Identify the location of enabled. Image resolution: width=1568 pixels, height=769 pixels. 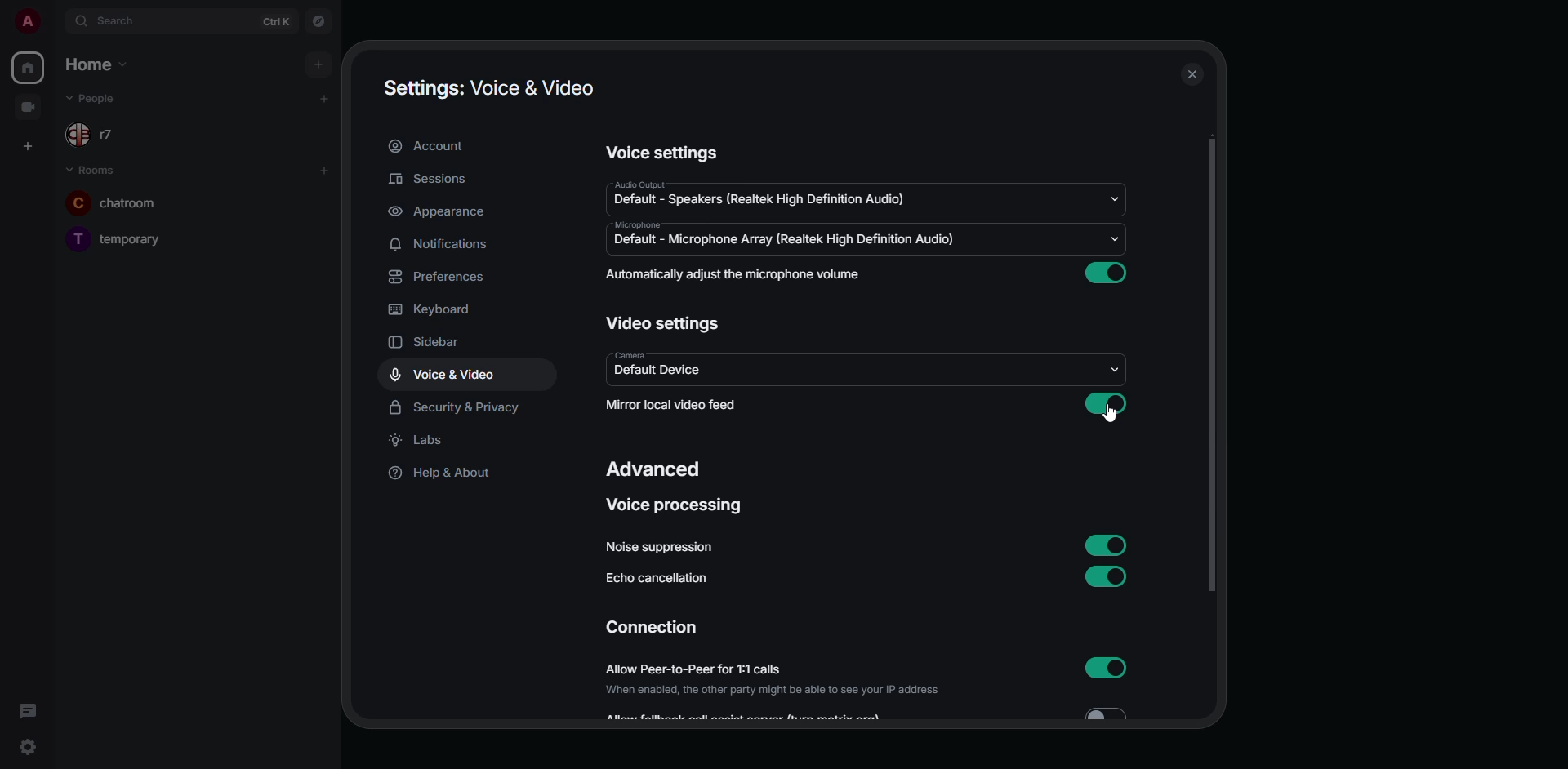
(1105, 545).